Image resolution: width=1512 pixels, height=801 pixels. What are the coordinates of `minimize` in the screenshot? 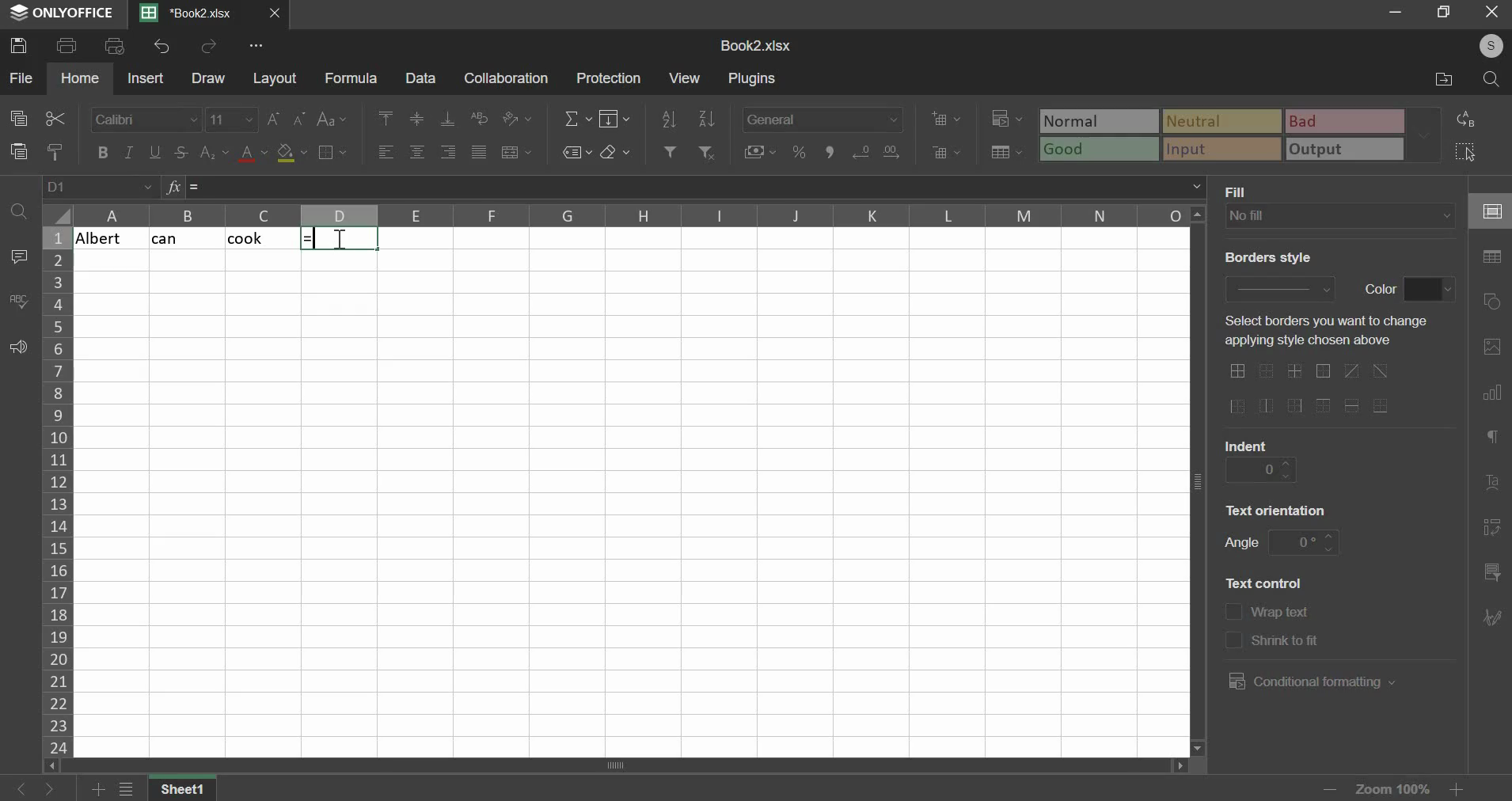 It's located at (1399, 14).